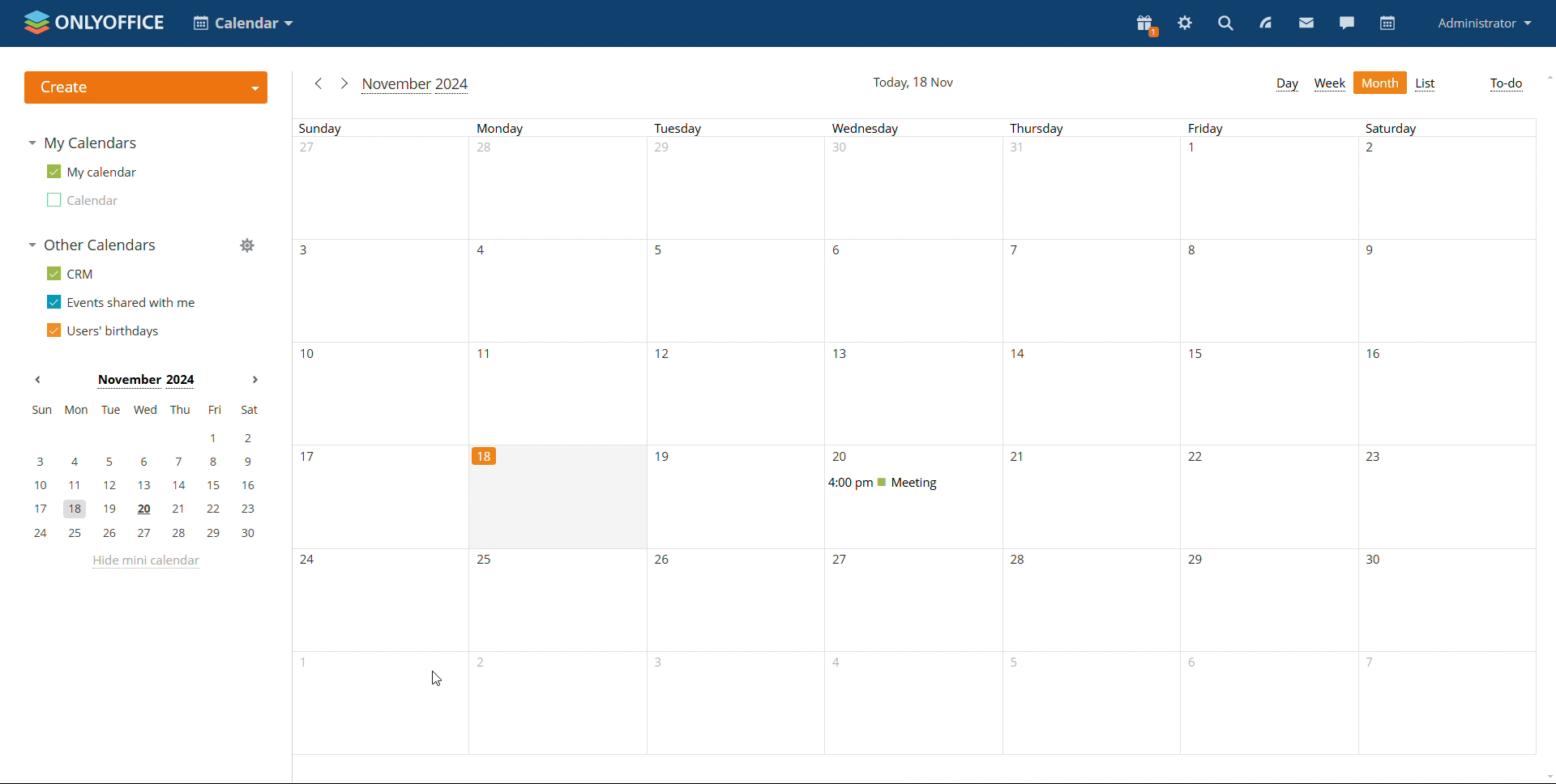 The width and height of the screenshot is (1556, 784). Describe the element at coordinates (103, 330) in the screenshot. I see `users' birthdays` at that location.